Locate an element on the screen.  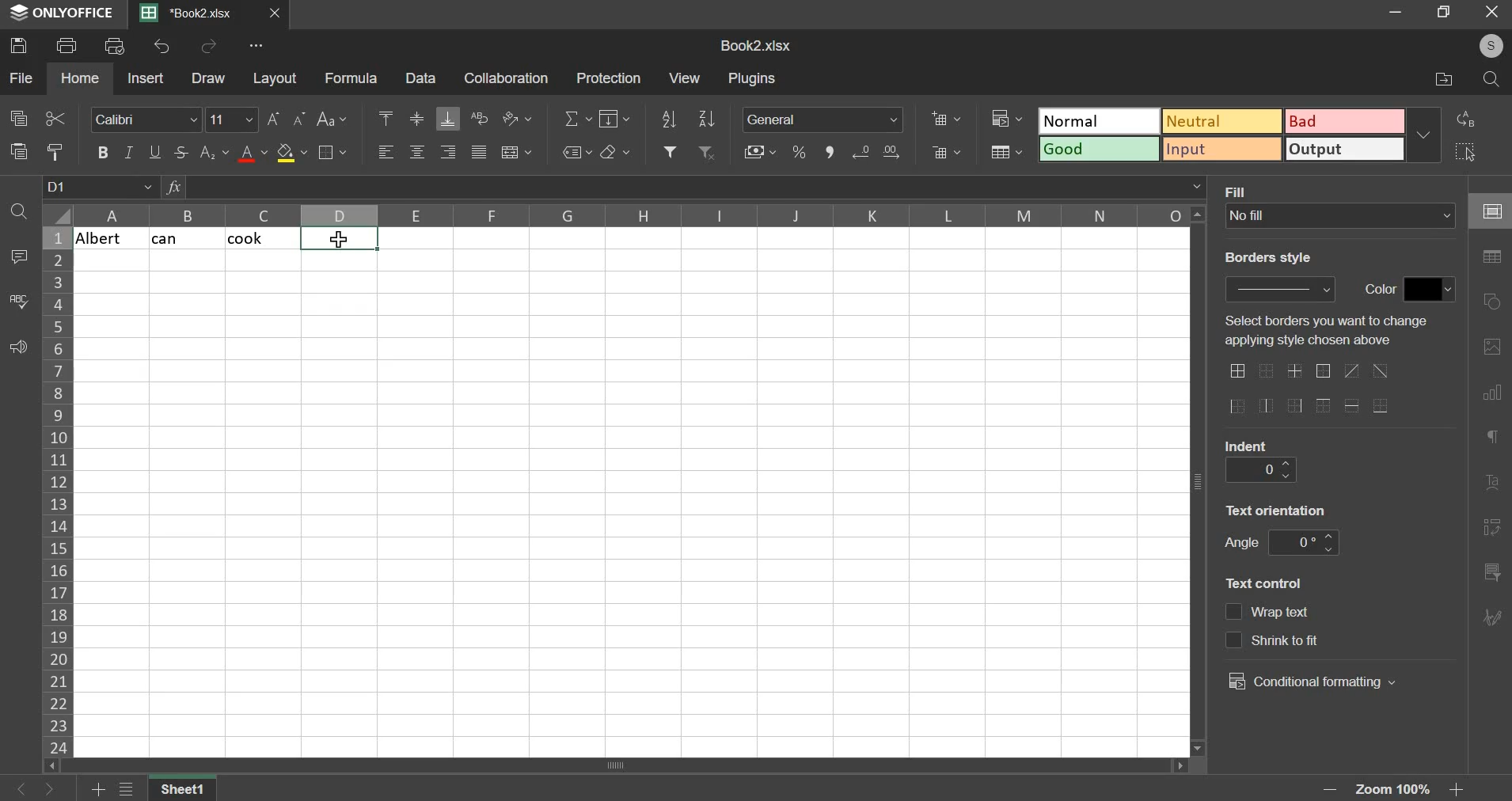
text art is located at coordinates (1492, 487).